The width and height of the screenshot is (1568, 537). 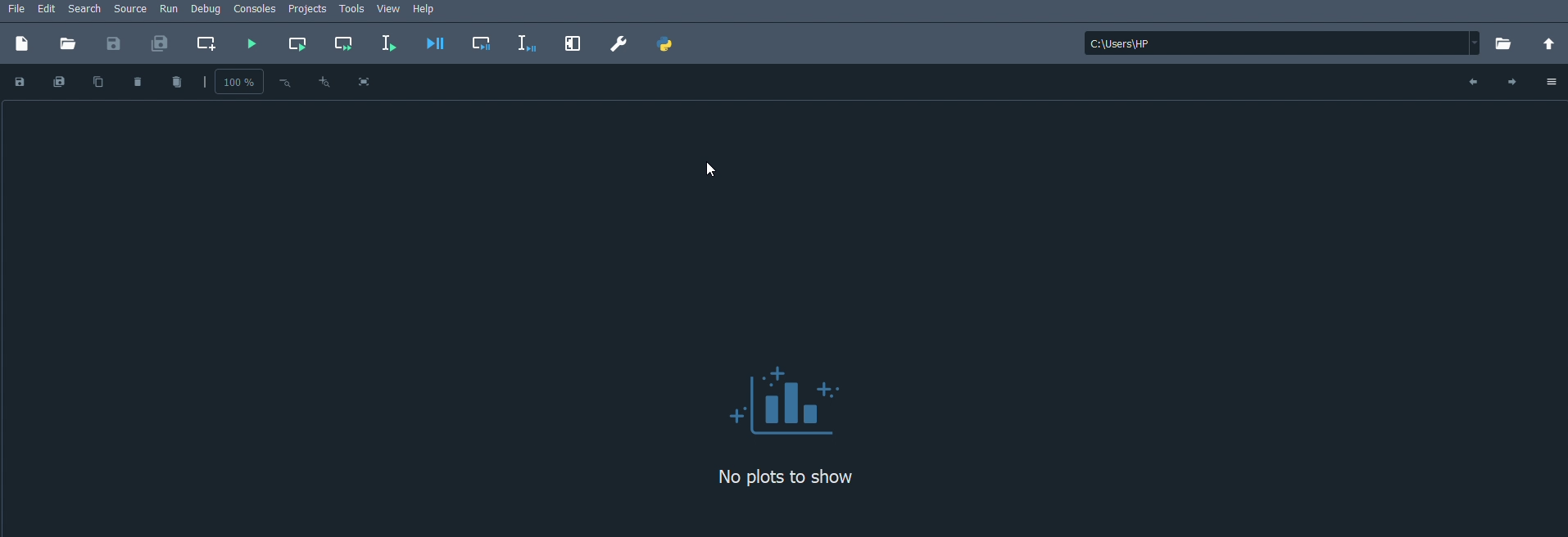 I want to click on Debug cell, so click(x=483, y=43).